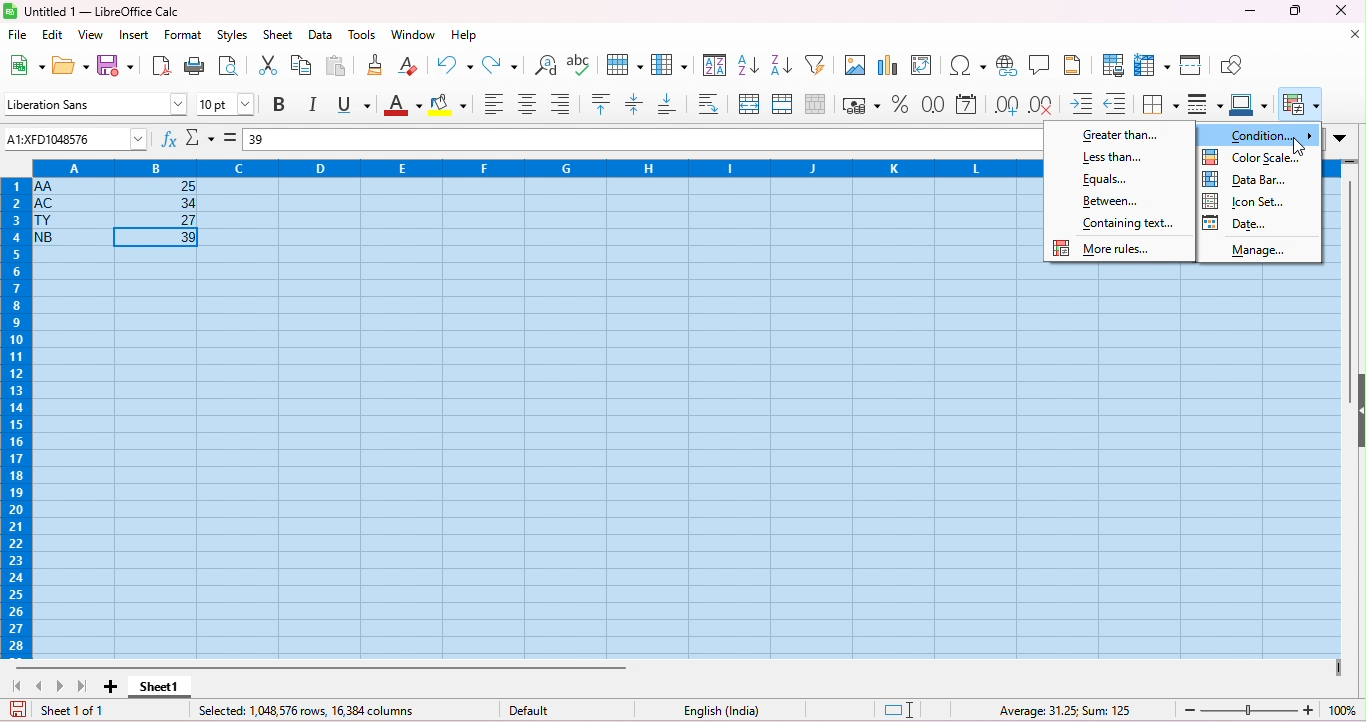  I want to click on minimize, so click(1249, 12).